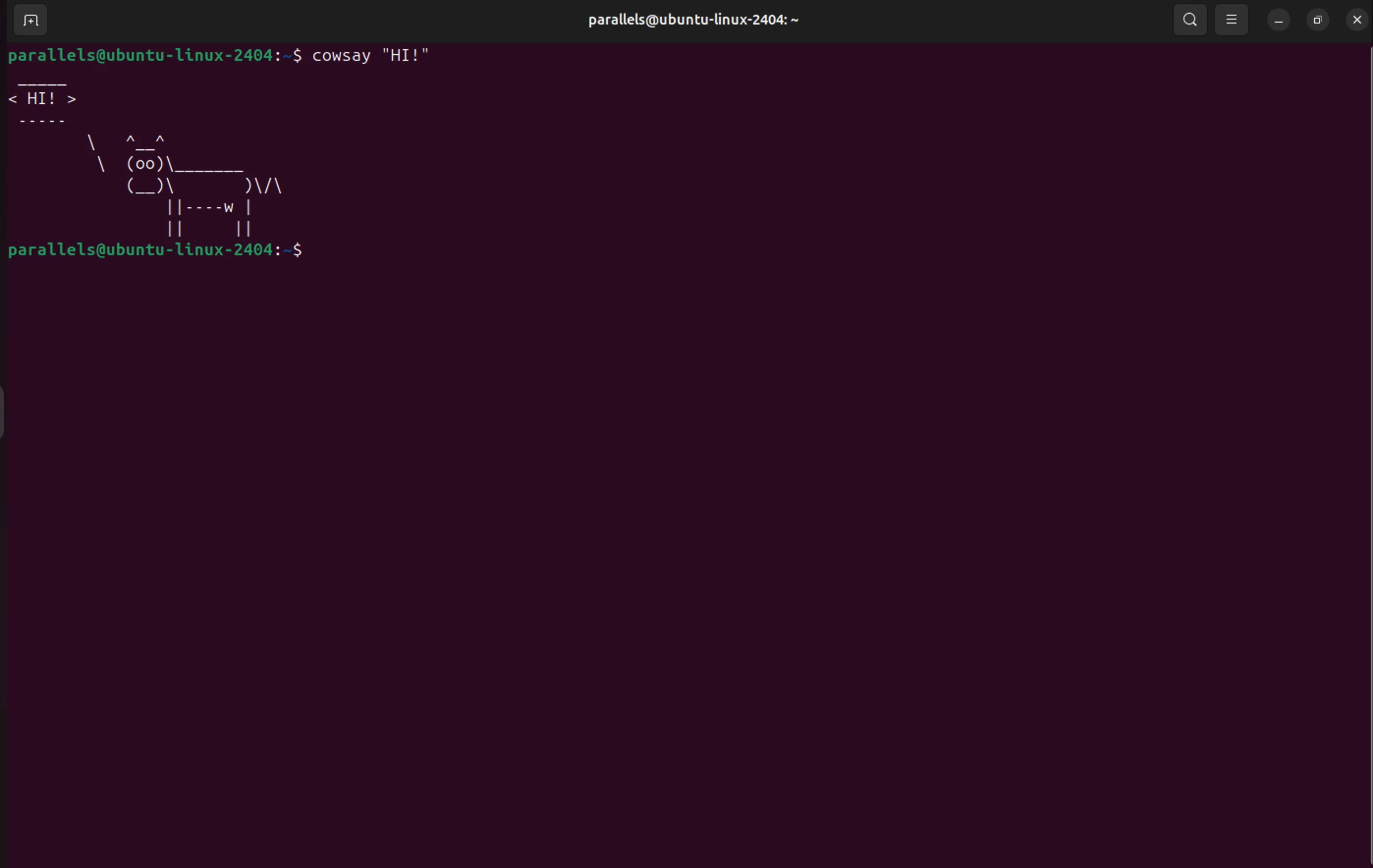 The width and height of the screenshot is (1373, 868). I want to click on bash prompt, so click(164, 254).